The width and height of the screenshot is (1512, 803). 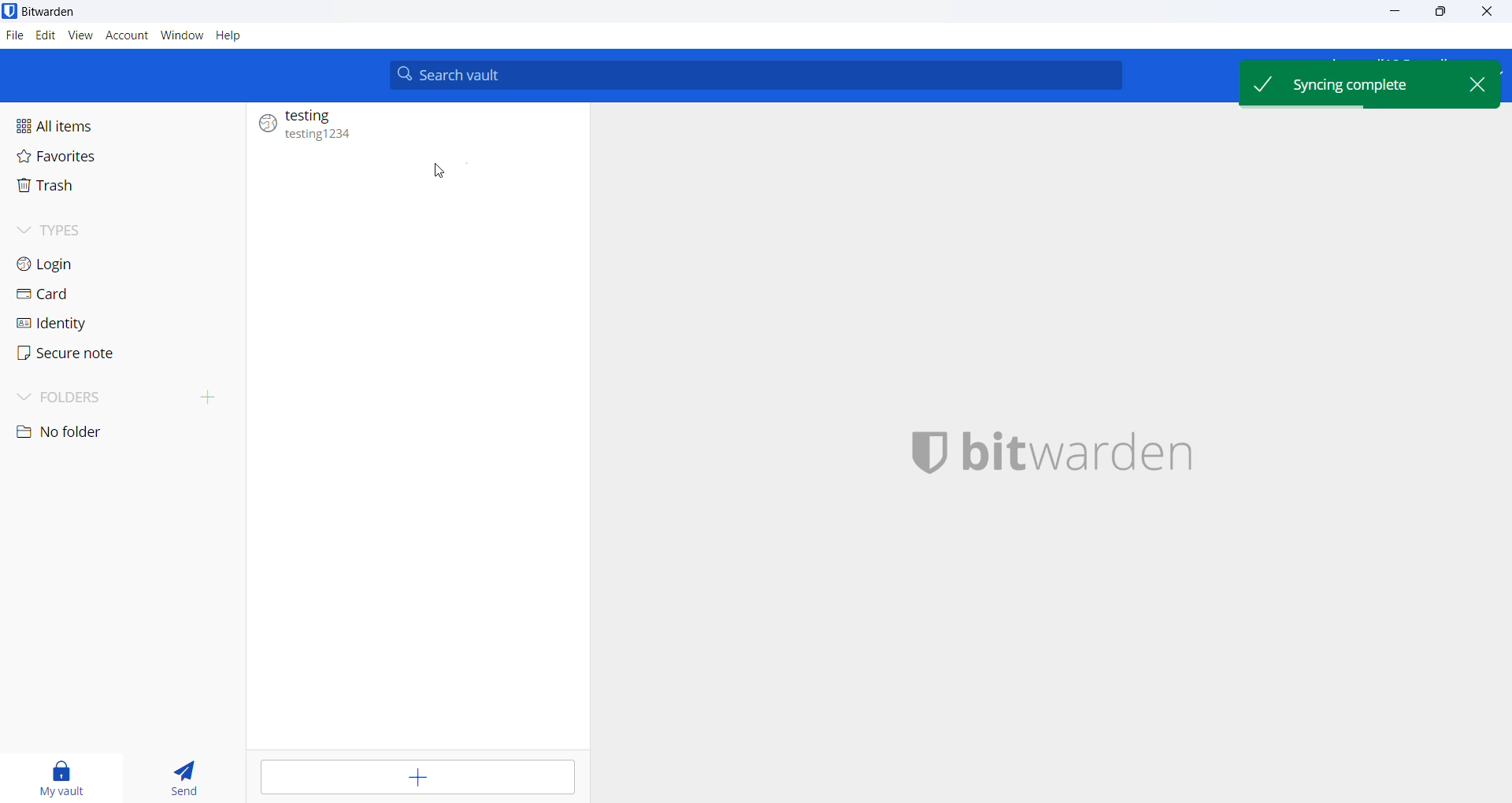 I want to click on folders, so click(x=121, y=398).